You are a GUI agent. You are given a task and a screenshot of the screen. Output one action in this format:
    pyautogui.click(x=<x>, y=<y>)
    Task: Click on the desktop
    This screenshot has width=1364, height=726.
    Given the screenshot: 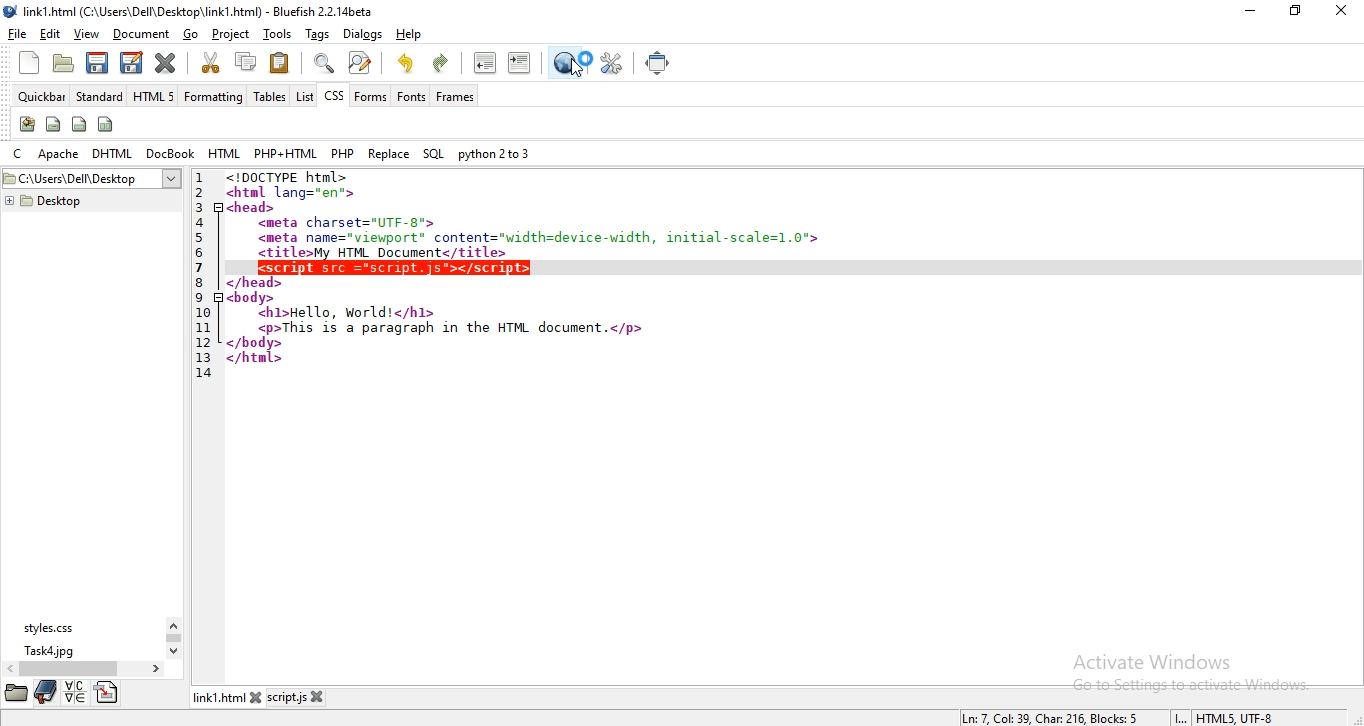 What is the action you would take?
    pyautogui.click(x=43, y=201)
    